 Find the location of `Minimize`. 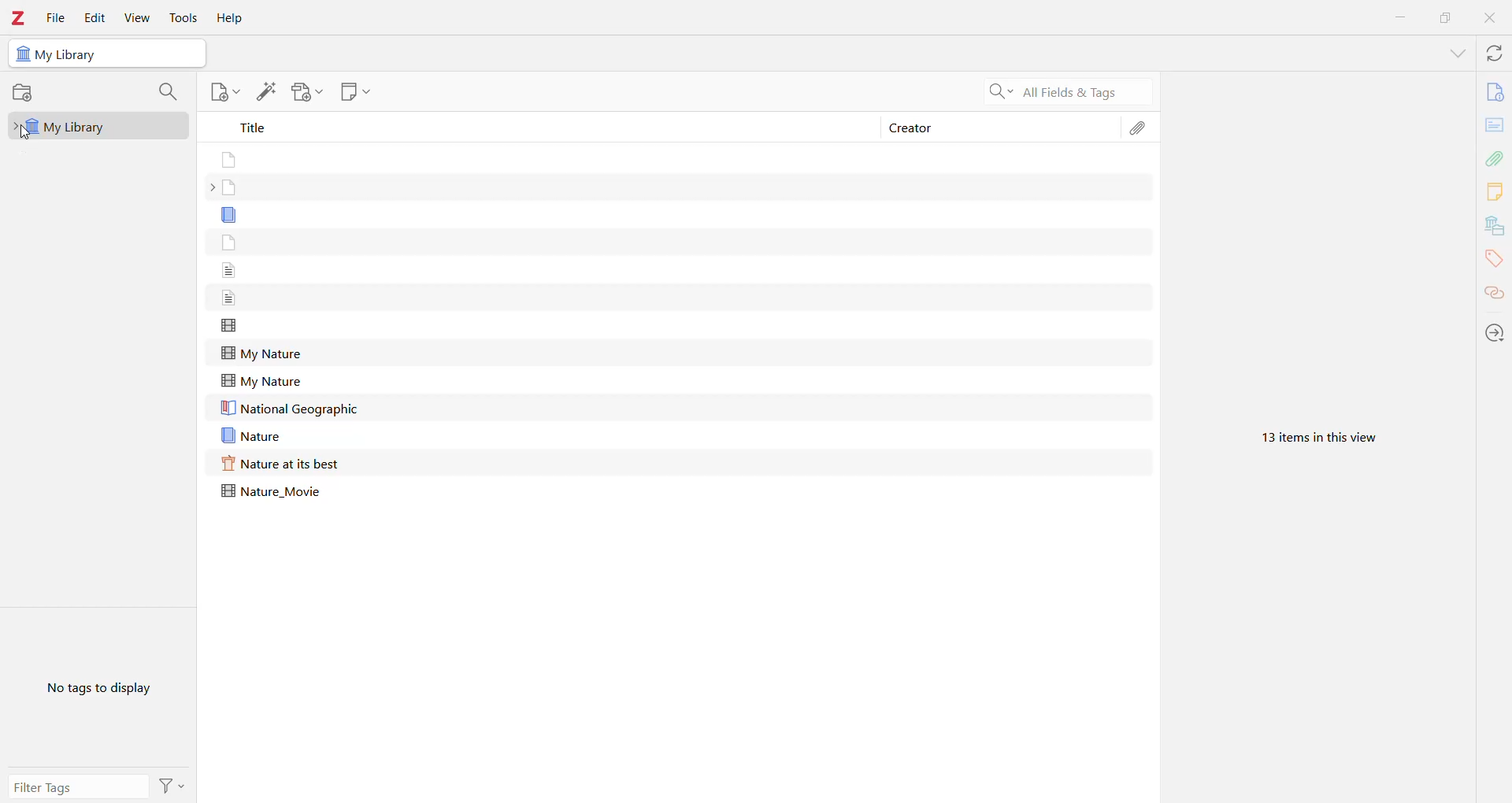

Minimize is located at coordinates (1403, 16).